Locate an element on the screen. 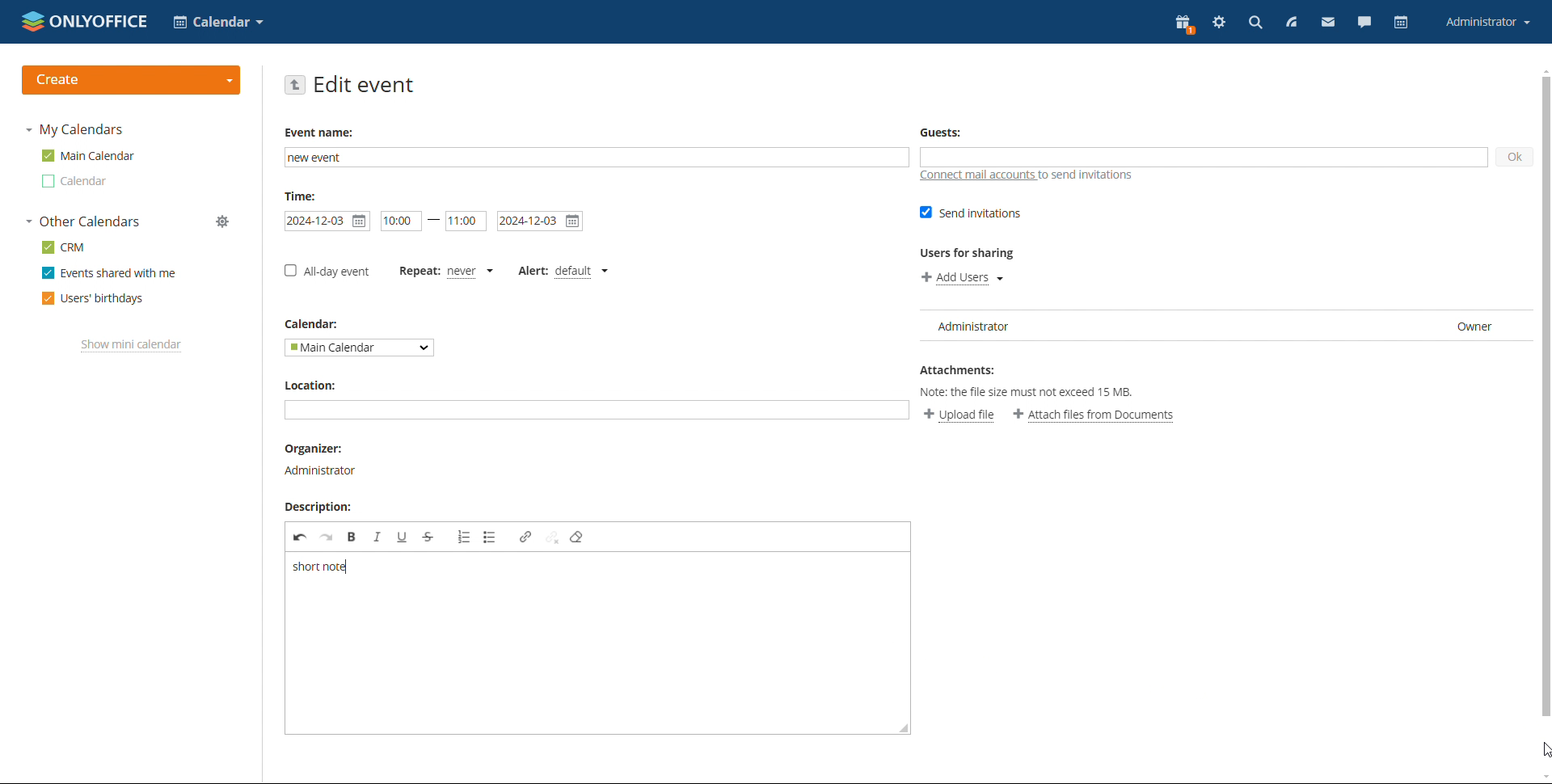 The height and width of the screenshot is (784, 1552). link is located at coordinates (526, 536).